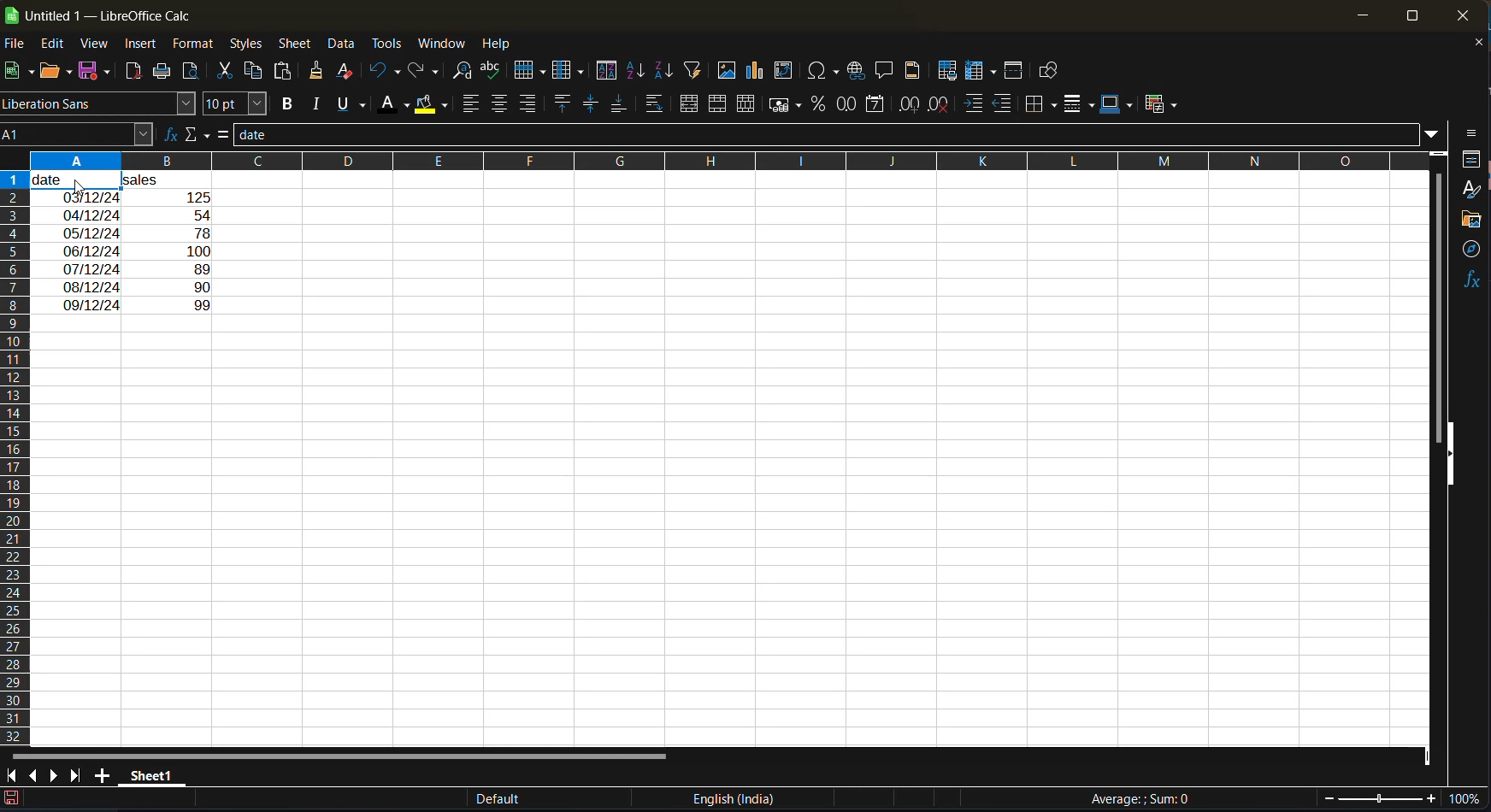  I want to click on align right, so click(527, 103).